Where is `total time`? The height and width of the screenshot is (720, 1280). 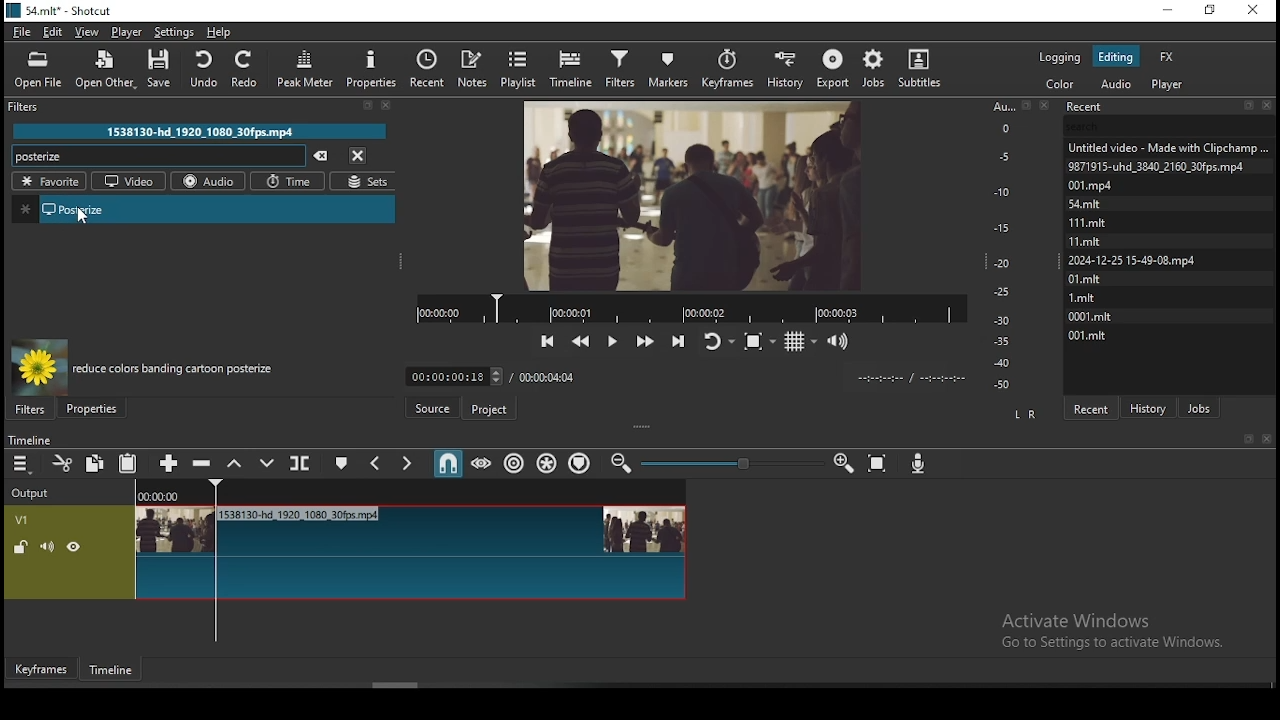 total time is located at coordinates (548, 376).